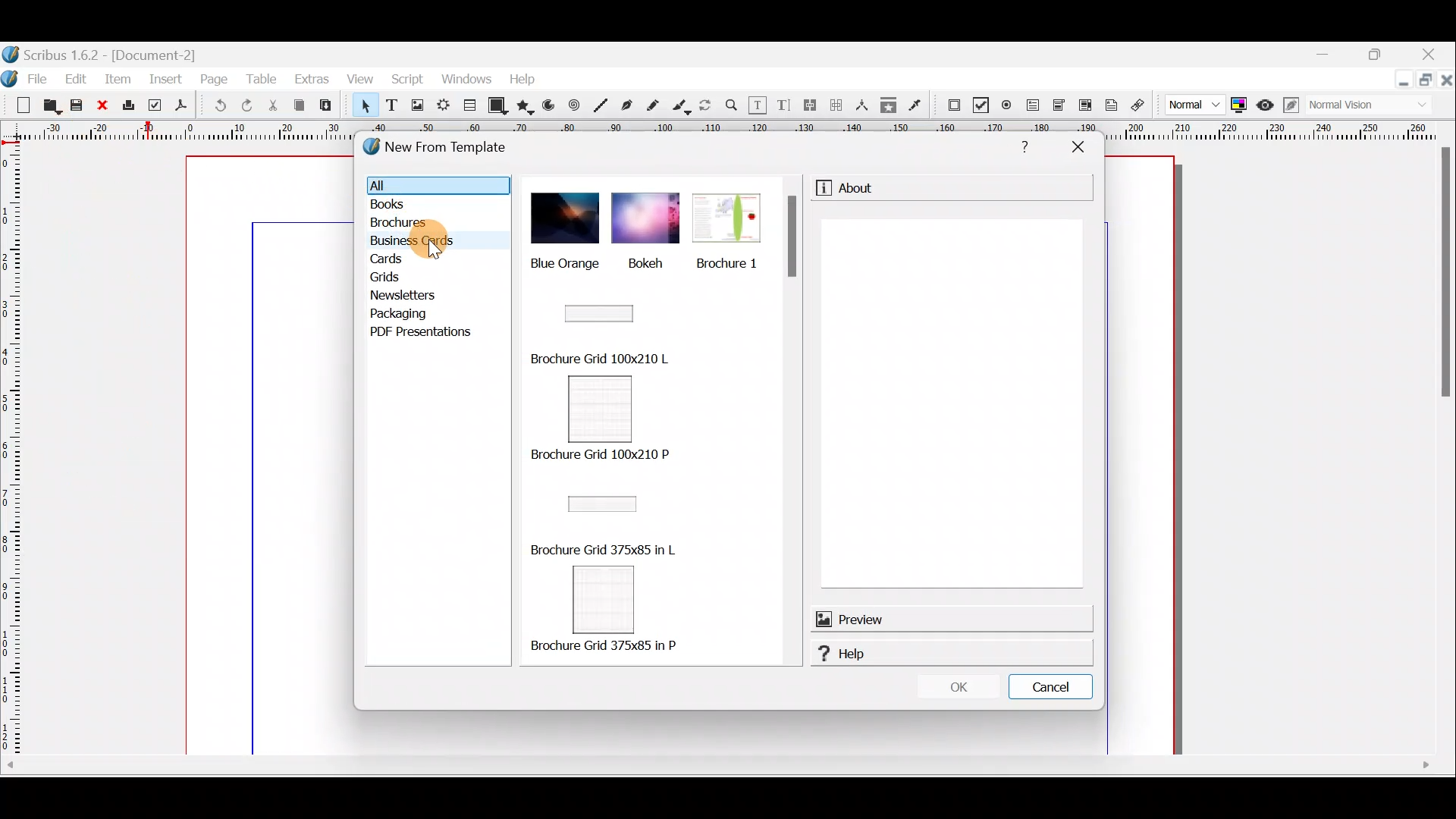 The width and height of the screenshot is (1456, 819). Describe the element at coordinates (657, 105) in the screenshot. I see `Freehand line` at that location.